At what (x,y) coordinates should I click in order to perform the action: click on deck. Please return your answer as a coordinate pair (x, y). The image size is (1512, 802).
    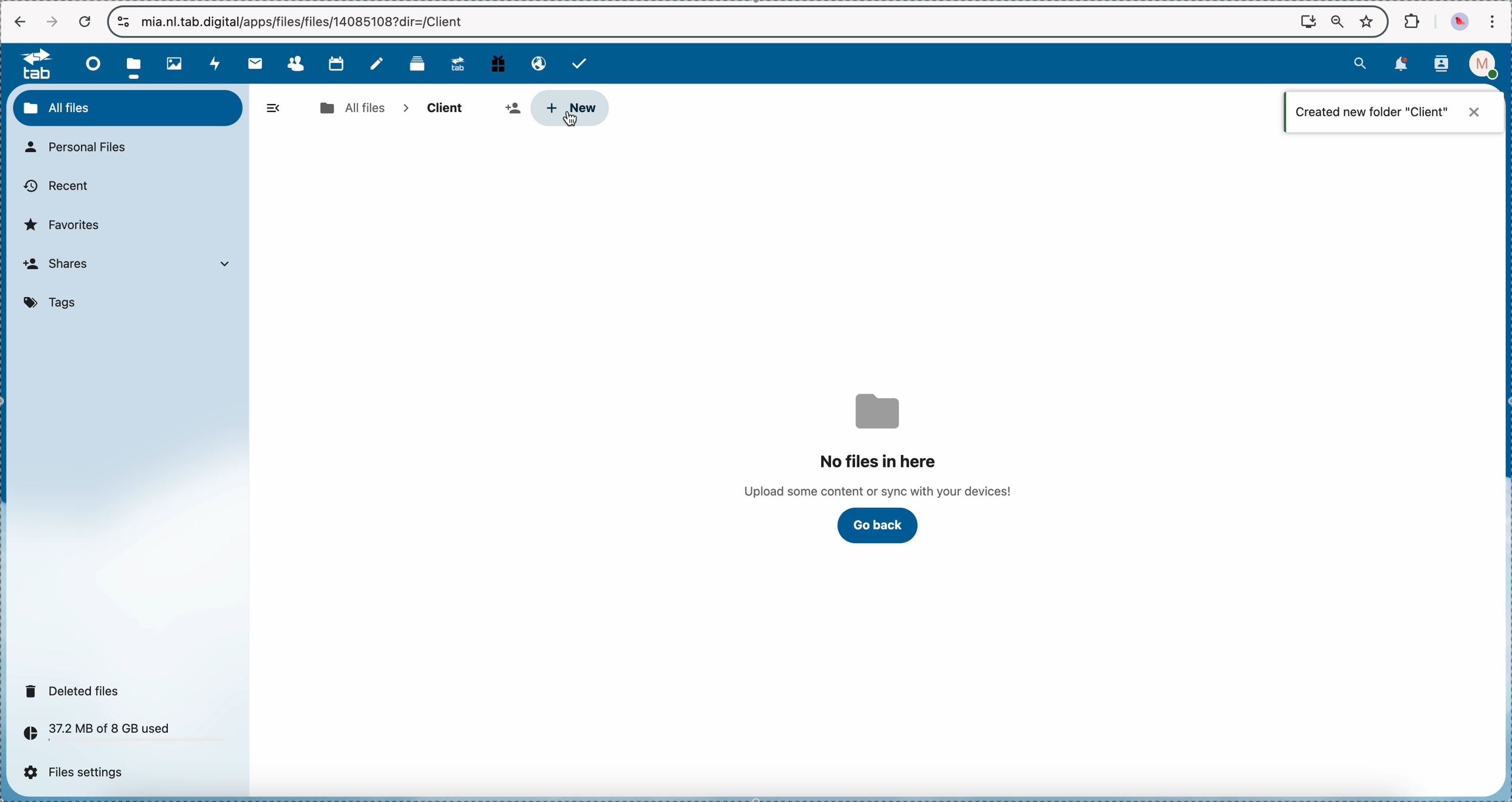
    Looking at the image, I should click on (420, 62).